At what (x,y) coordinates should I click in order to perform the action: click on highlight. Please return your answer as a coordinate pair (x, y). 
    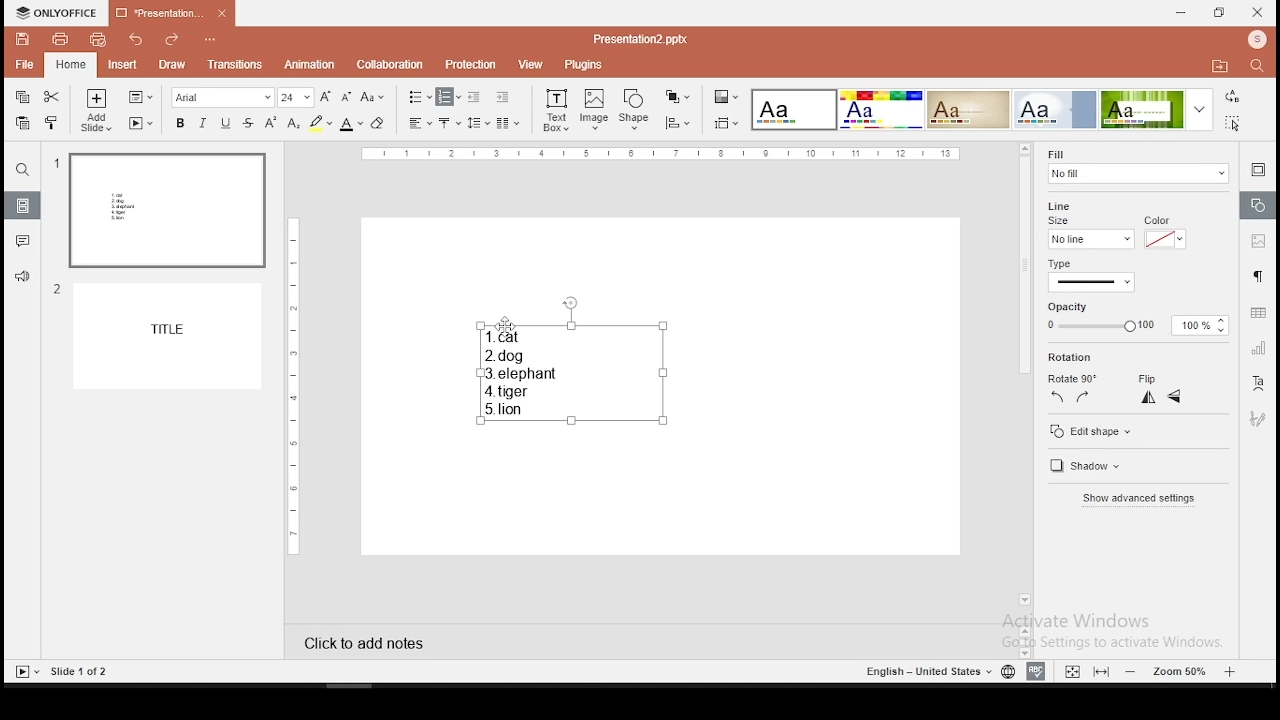
    Looking at the image, I should click on (320, 123).